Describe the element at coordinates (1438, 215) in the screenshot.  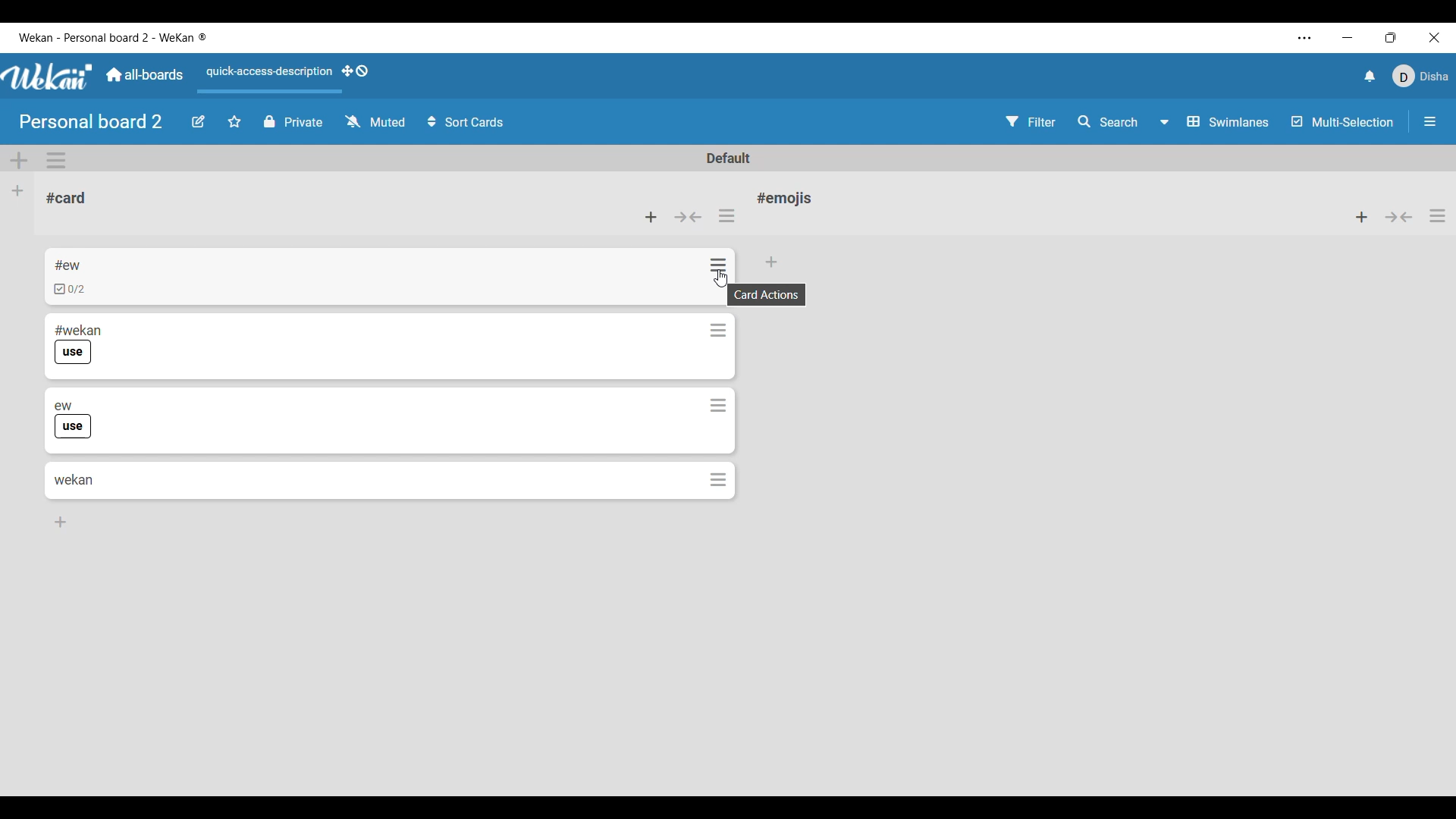
I see `List actions` at that location.